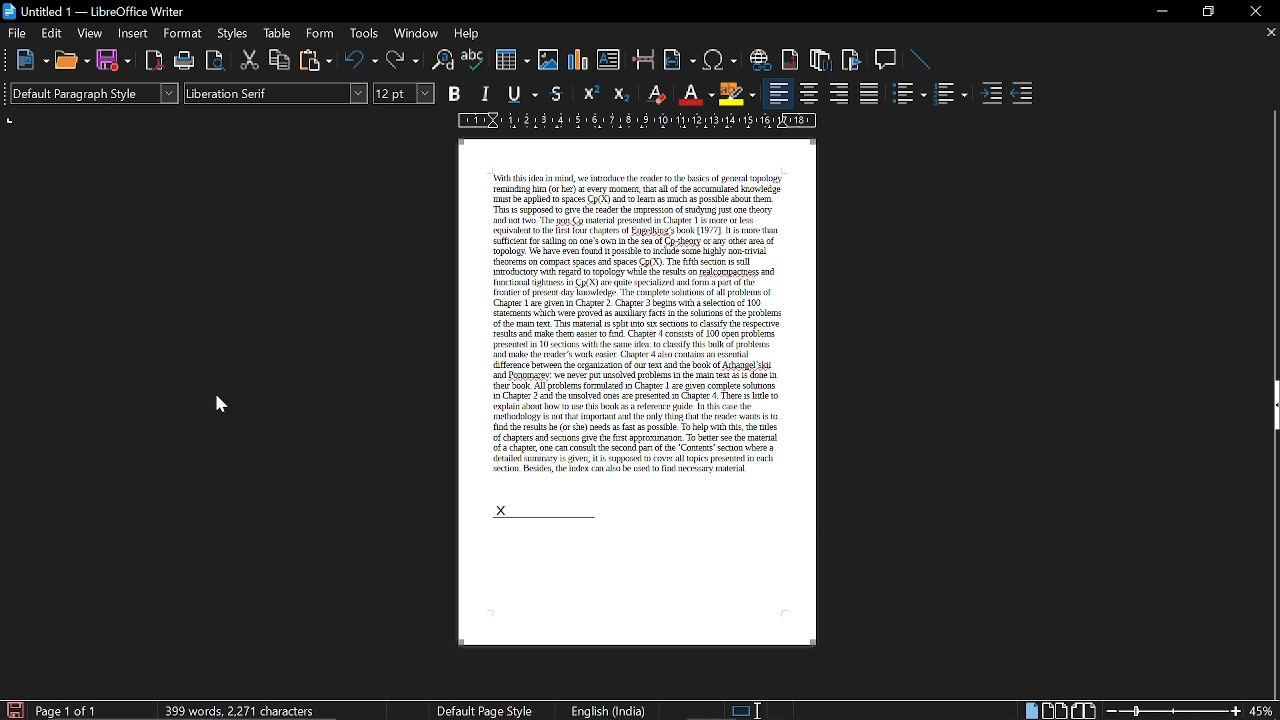  I want to click on insert chart, so click(579, 60).